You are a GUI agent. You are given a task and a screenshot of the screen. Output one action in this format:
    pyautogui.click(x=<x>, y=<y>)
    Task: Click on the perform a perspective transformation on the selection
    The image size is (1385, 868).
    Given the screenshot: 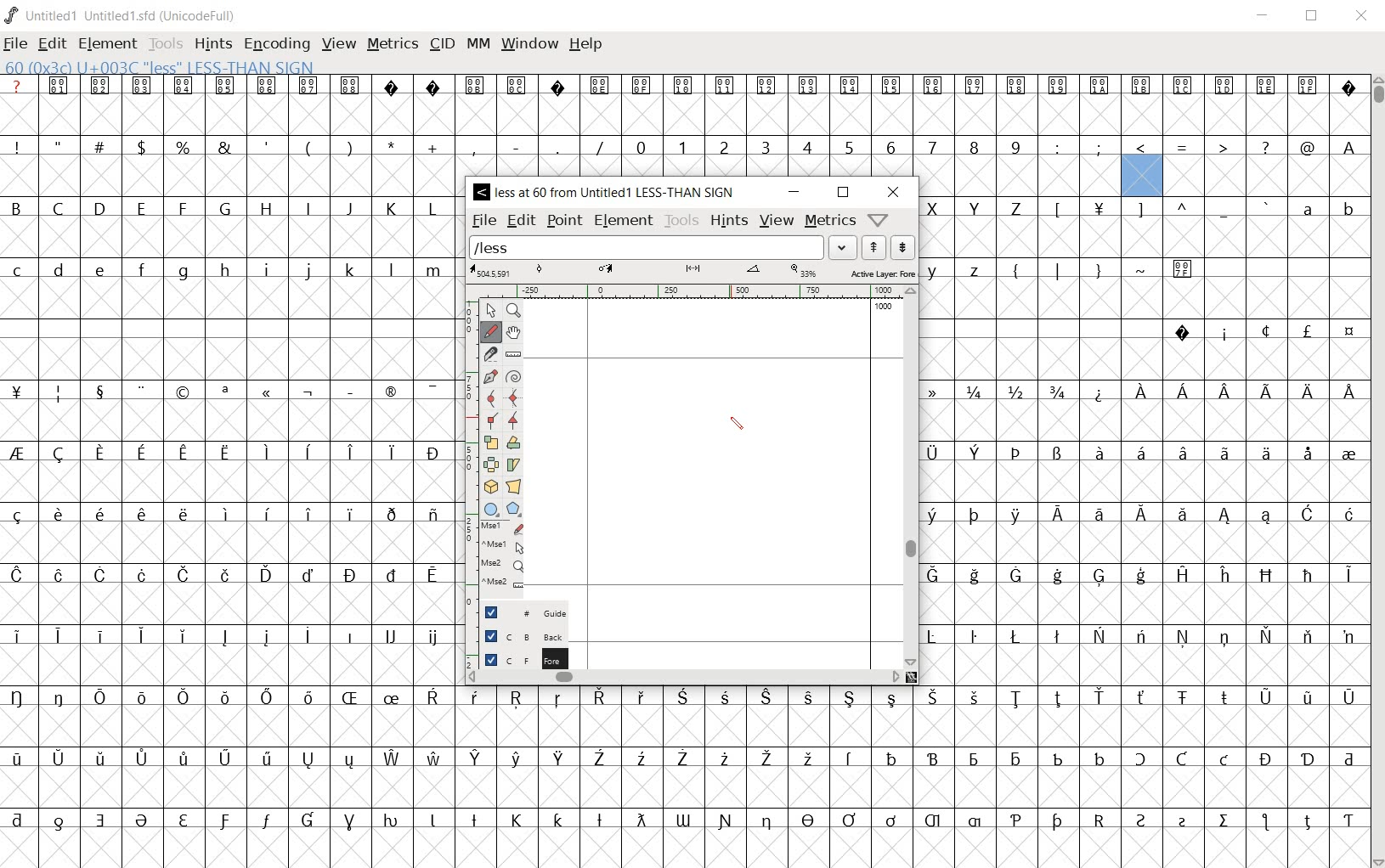 What is the action you would take?
    pyautogui.click(x=514, y=487)
    